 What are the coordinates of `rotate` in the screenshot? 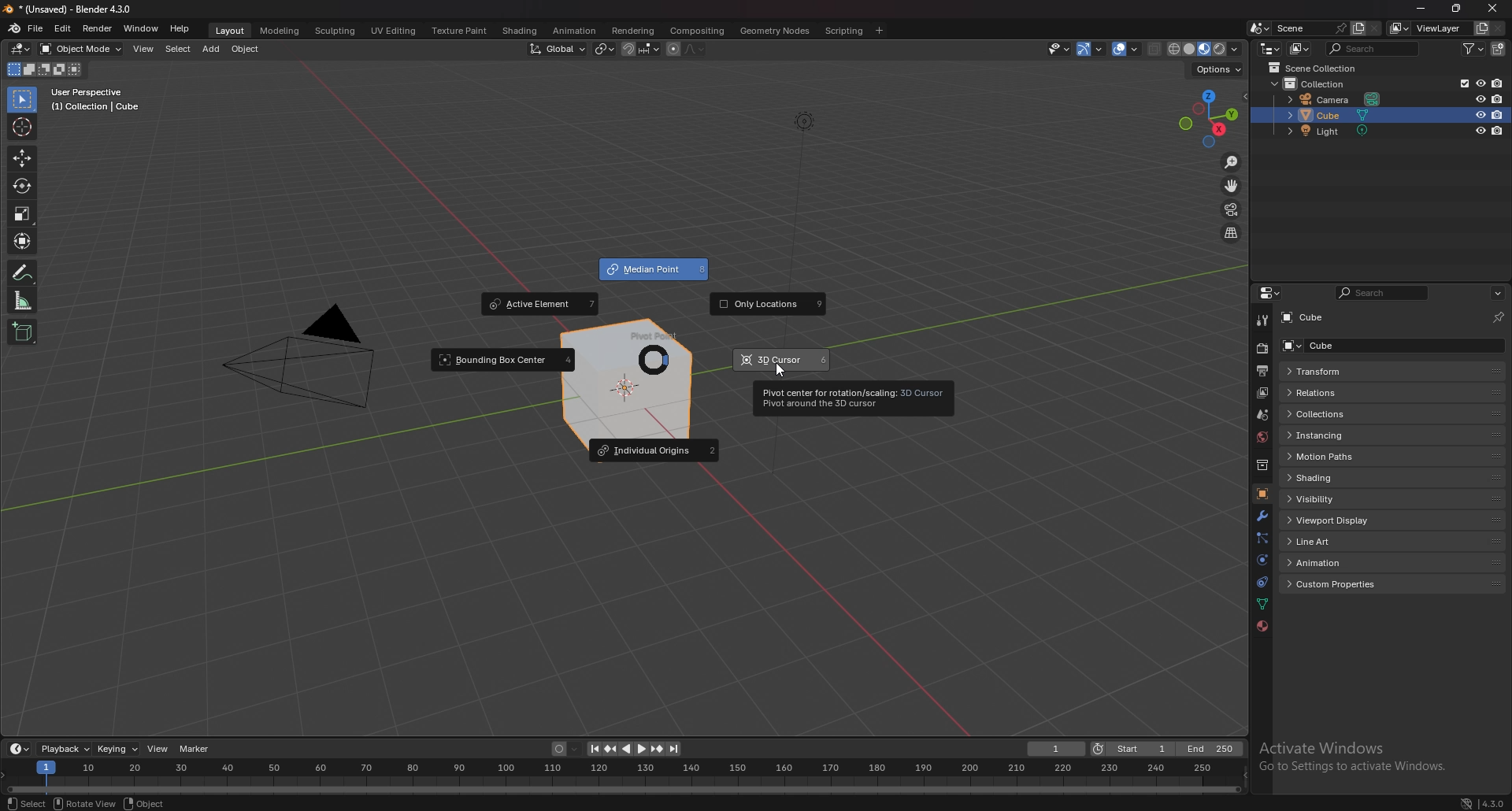 It's located at (20, 187).